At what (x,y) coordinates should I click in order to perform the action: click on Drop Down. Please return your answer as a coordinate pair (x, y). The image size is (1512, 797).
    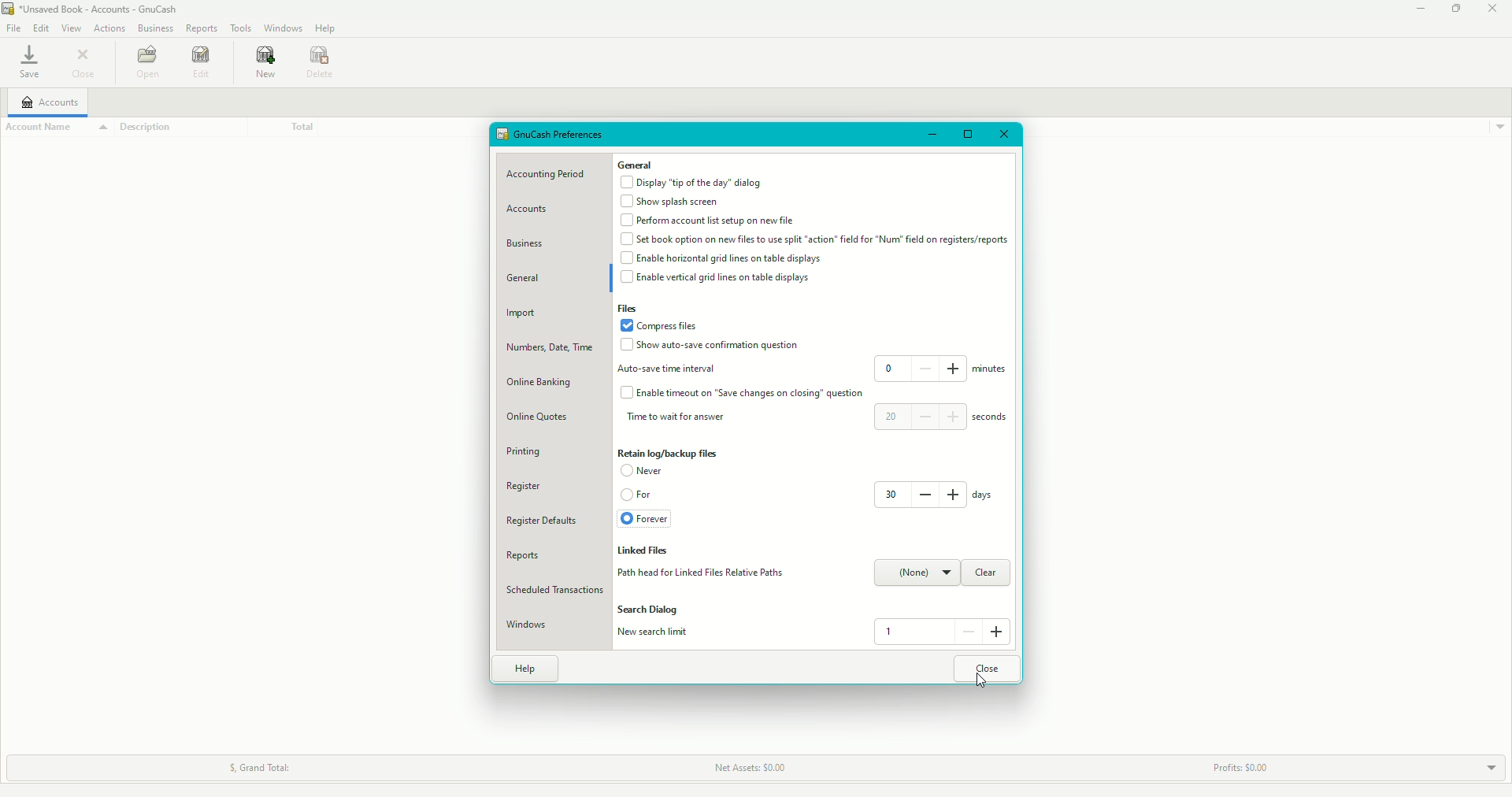
    Looking at the image, I should click on (1480, 766).